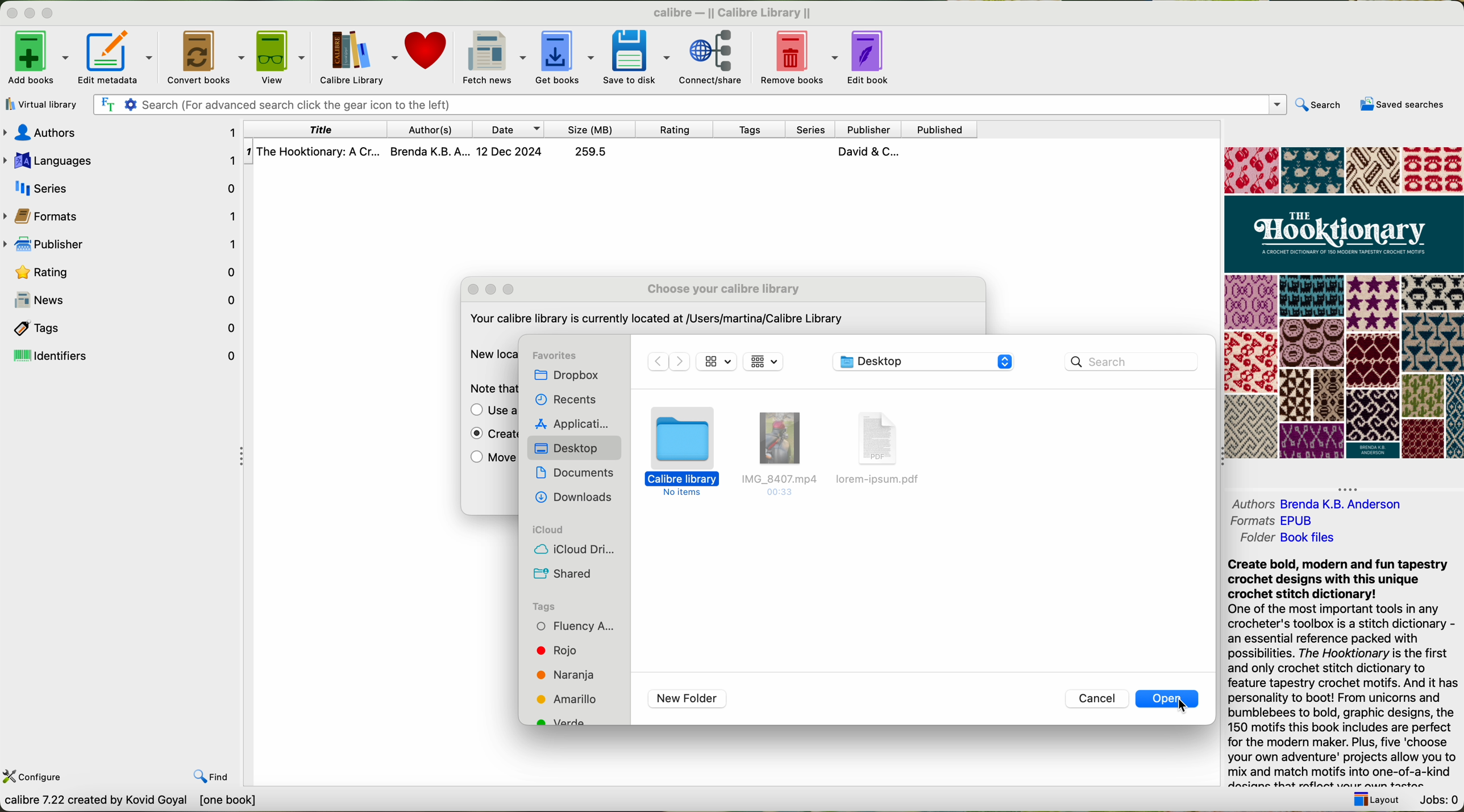 This screenshot has width=1464, height=812. Describe the element at coordinates (1379, 801) in the screenshot. I see `layout` at that location.